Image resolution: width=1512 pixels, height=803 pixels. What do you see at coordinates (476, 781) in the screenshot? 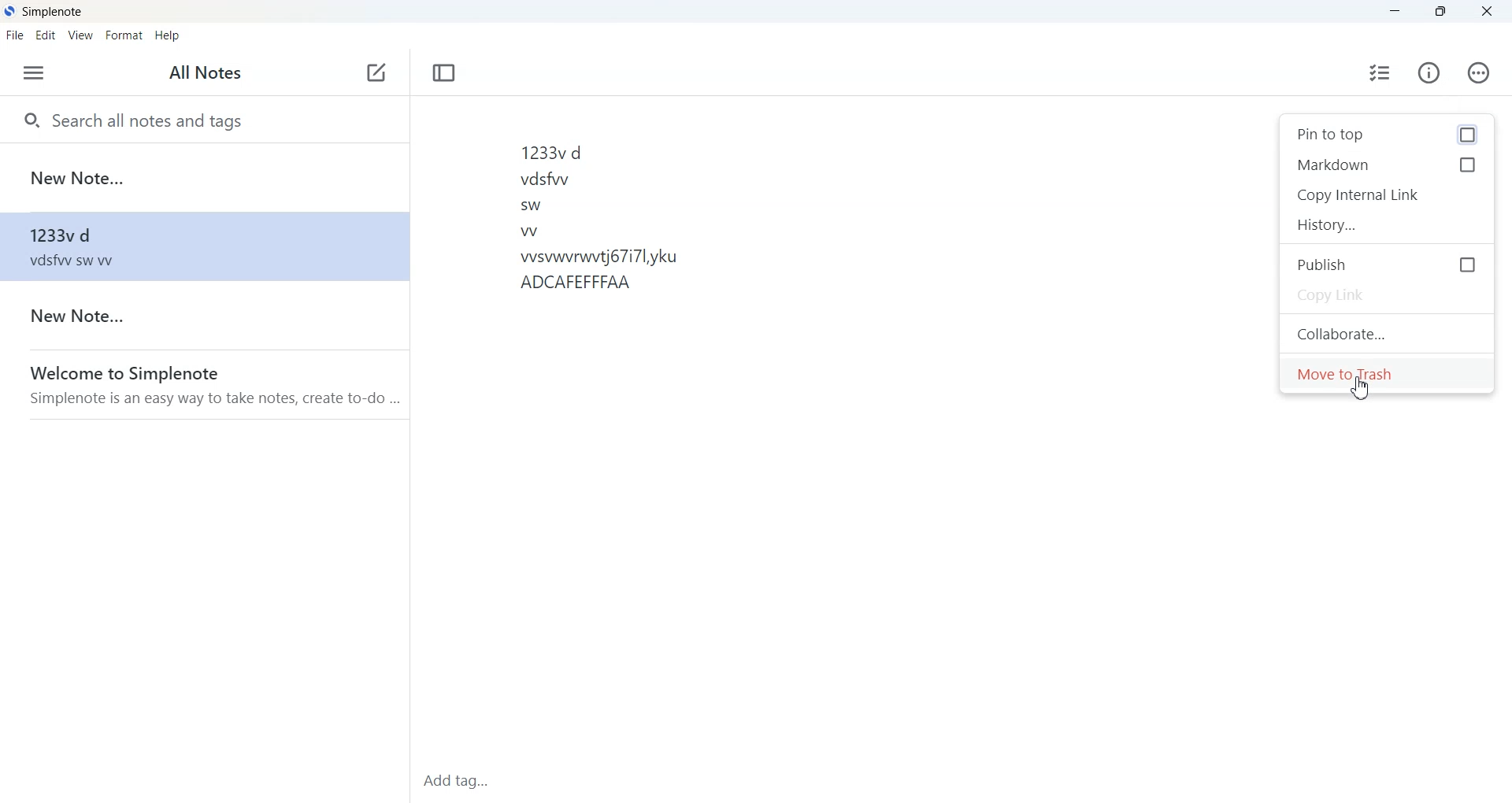
I see `Add tag` at bounding box center [476, 781].